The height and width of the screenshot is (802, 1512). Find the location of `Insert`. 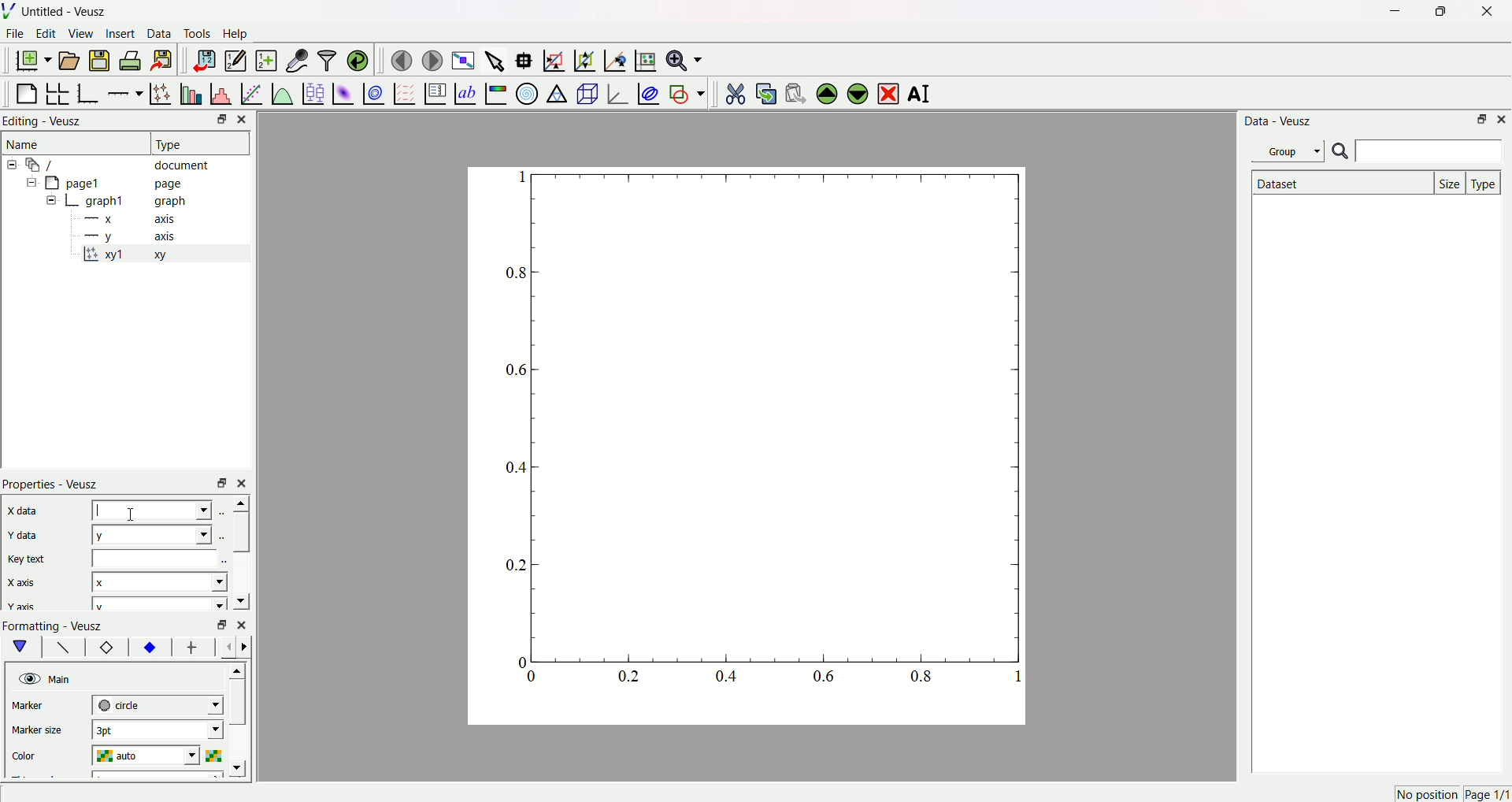

Insert is located at coordinates (120, 35).